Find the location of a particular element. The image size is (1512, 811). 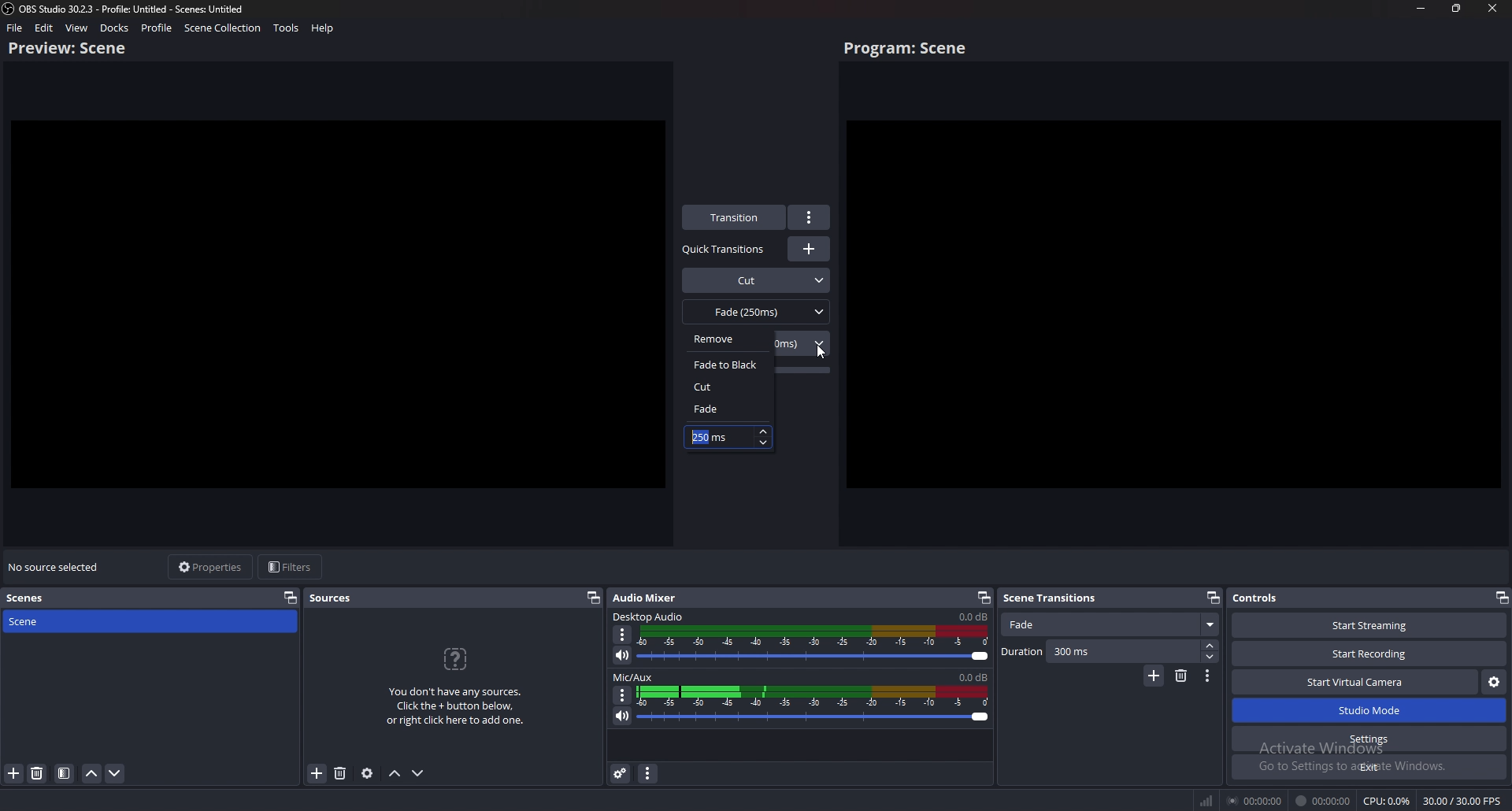

fade to black is located at coordinates (730, 365).